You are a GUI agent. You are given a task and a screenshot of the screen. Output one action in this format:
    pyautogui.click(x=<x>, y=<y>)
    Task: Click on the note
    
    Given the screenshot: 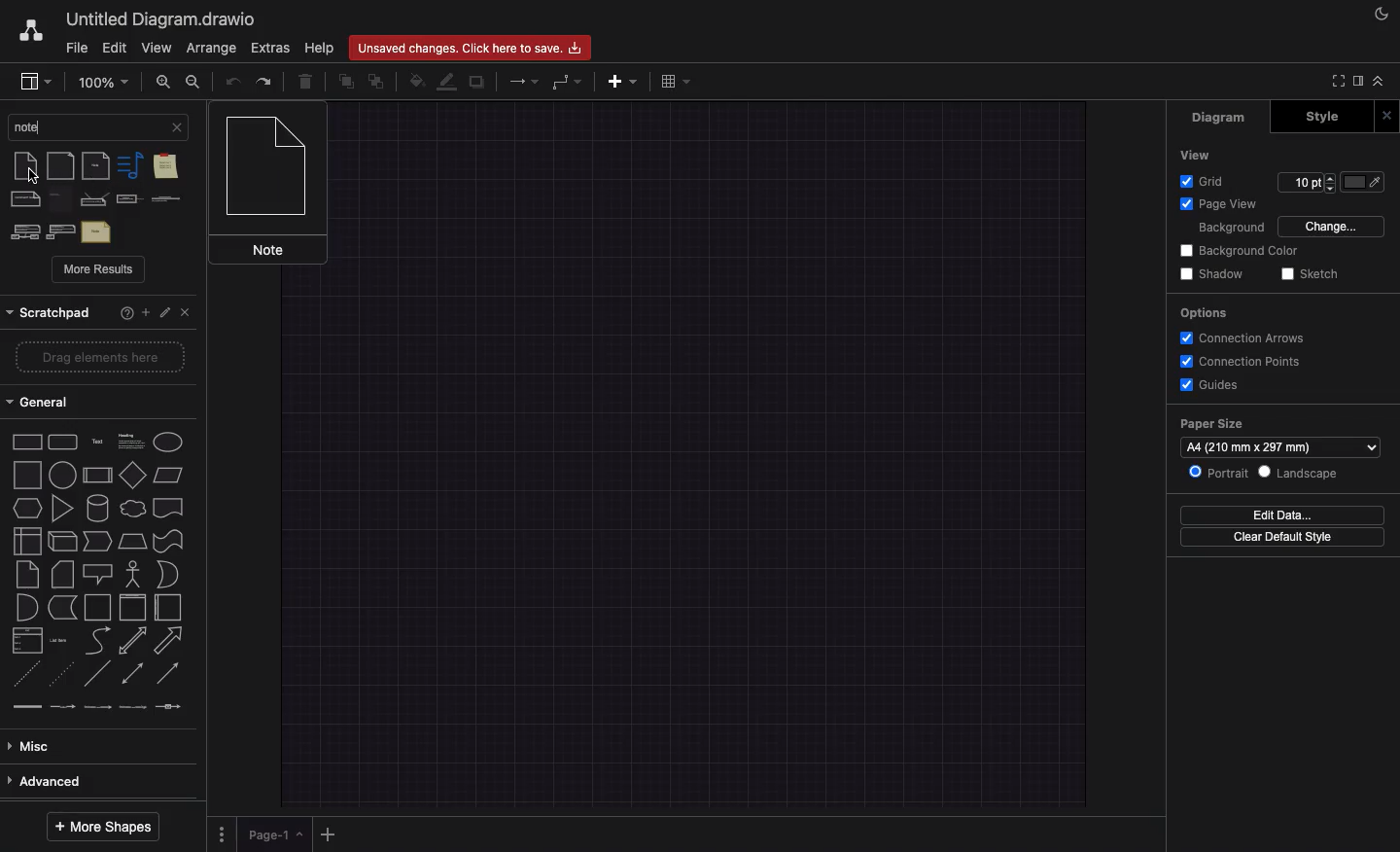 What is the action you would take?
    pyautogui.click(x=97, y=165)
    